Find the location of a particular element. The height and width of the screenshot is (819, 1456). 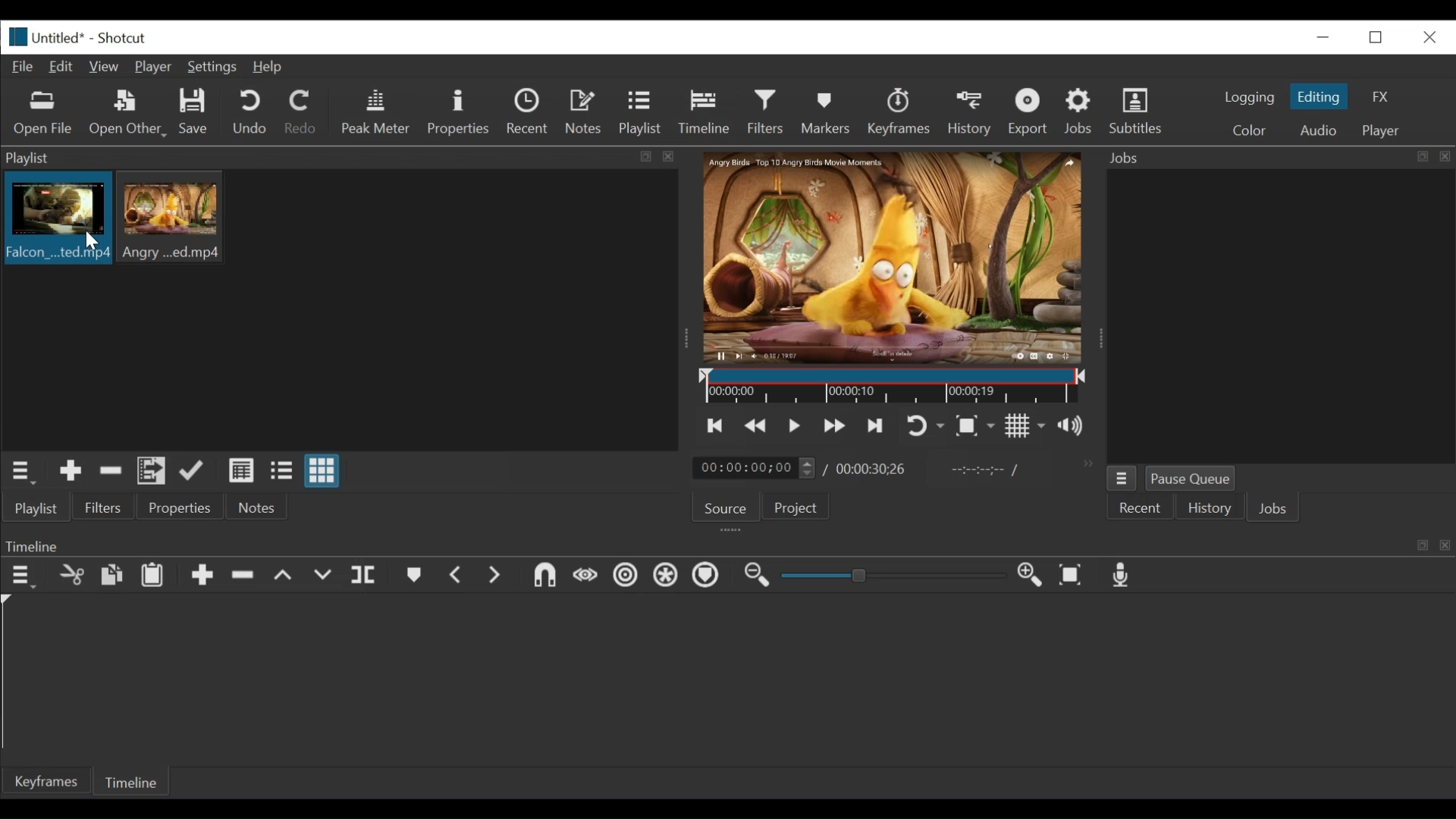

close is located at coordinates (1428, 36).